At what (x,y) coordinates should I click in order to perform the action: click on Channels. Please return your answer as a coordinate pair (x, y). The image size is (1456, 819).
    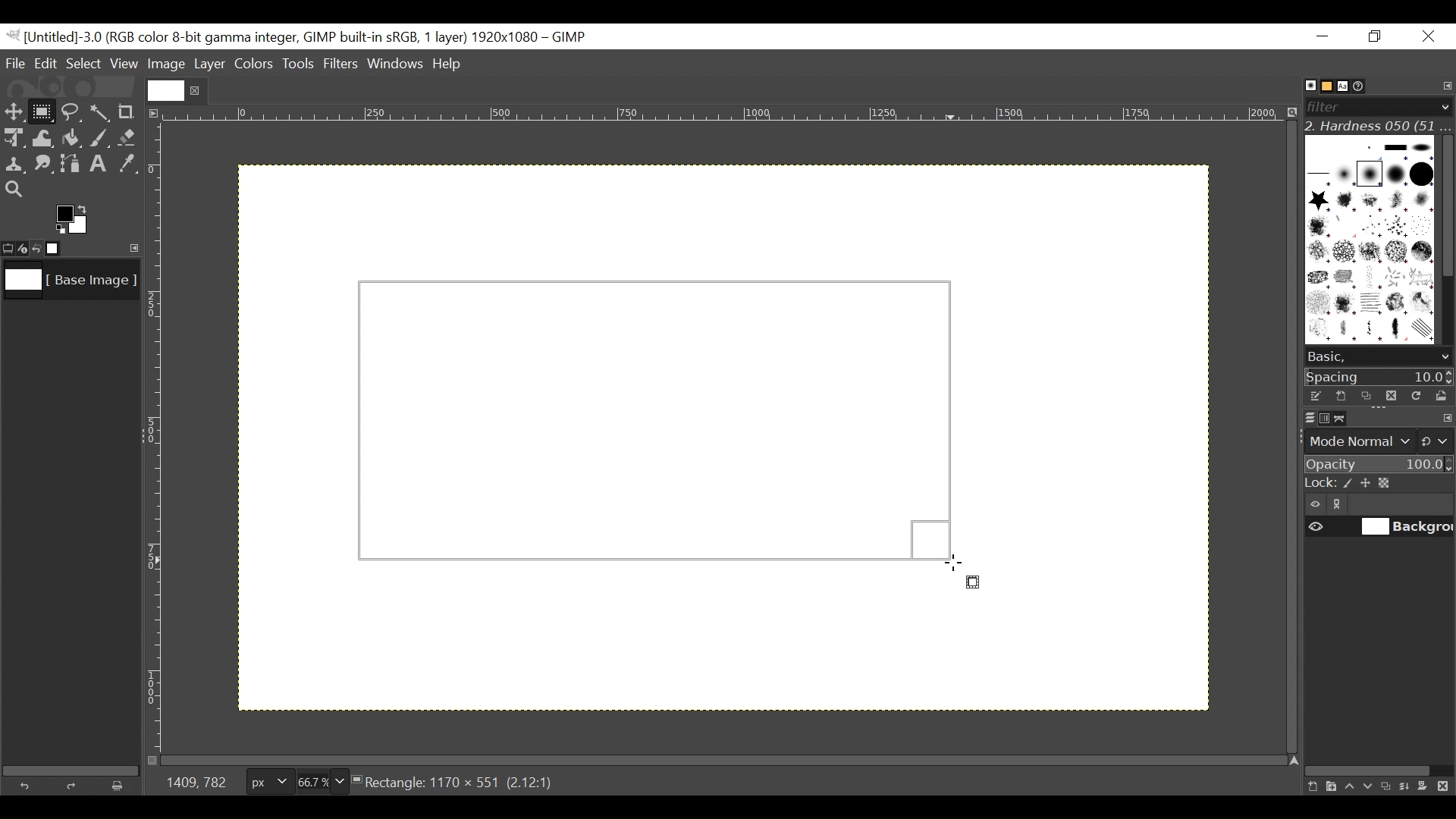
    Looking at the image, I should click on (1321, 417).